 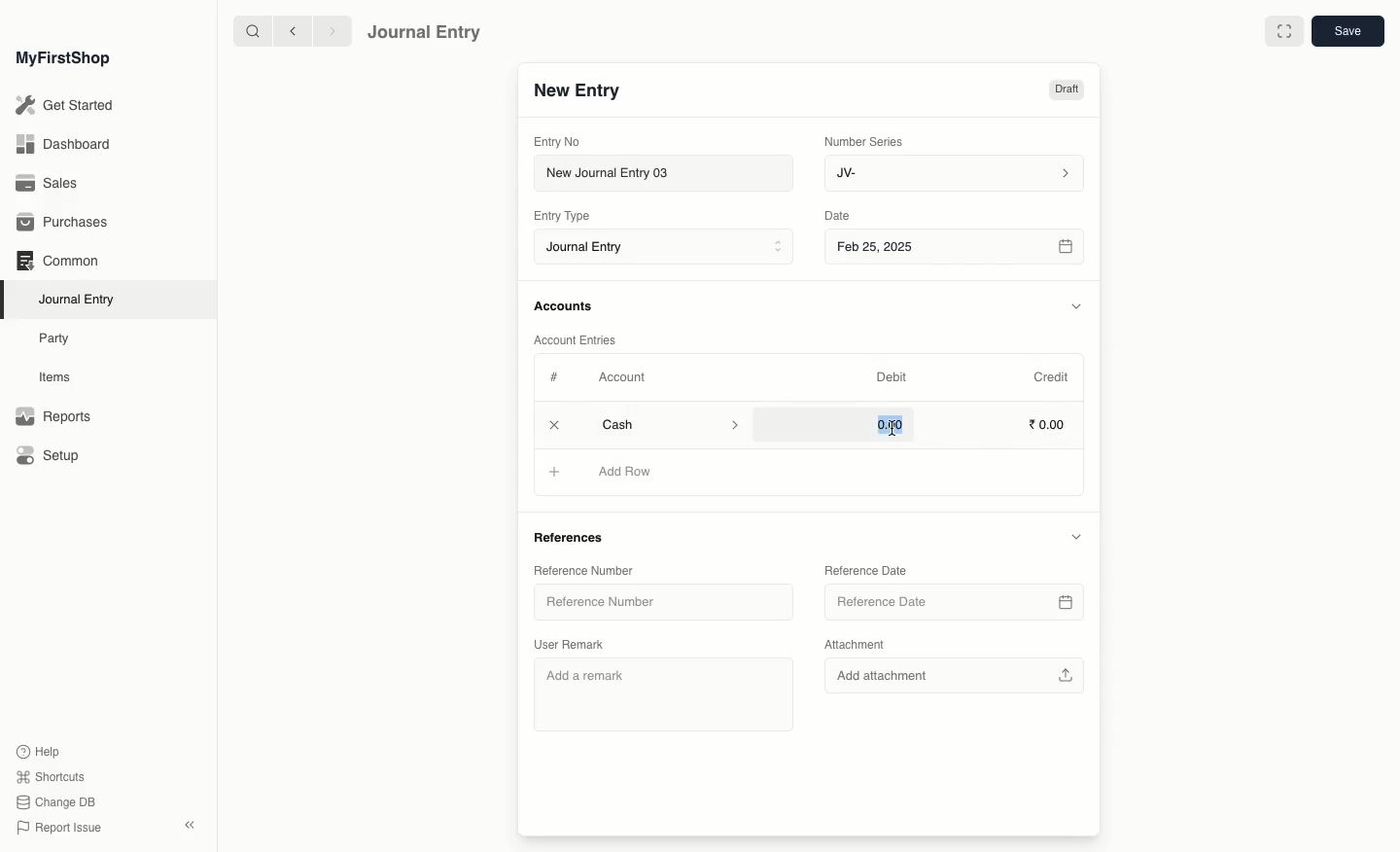 I want to click on Reference Date, so click(x=954, y=601).